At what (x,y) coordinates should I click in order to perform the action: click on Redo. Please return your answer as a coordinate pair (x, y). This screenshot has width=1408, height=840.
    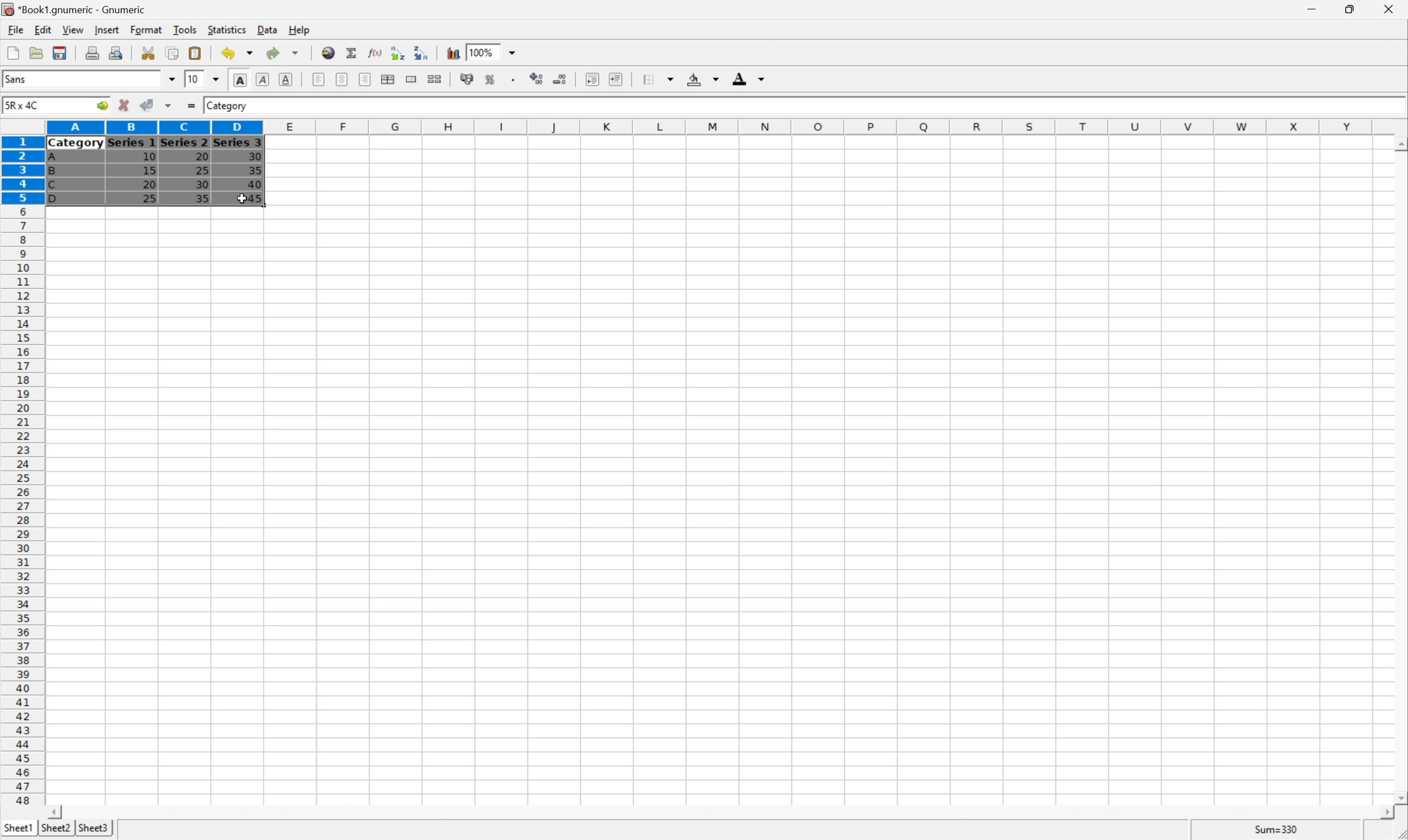
    Looking at the image, I should click on (281, 52).